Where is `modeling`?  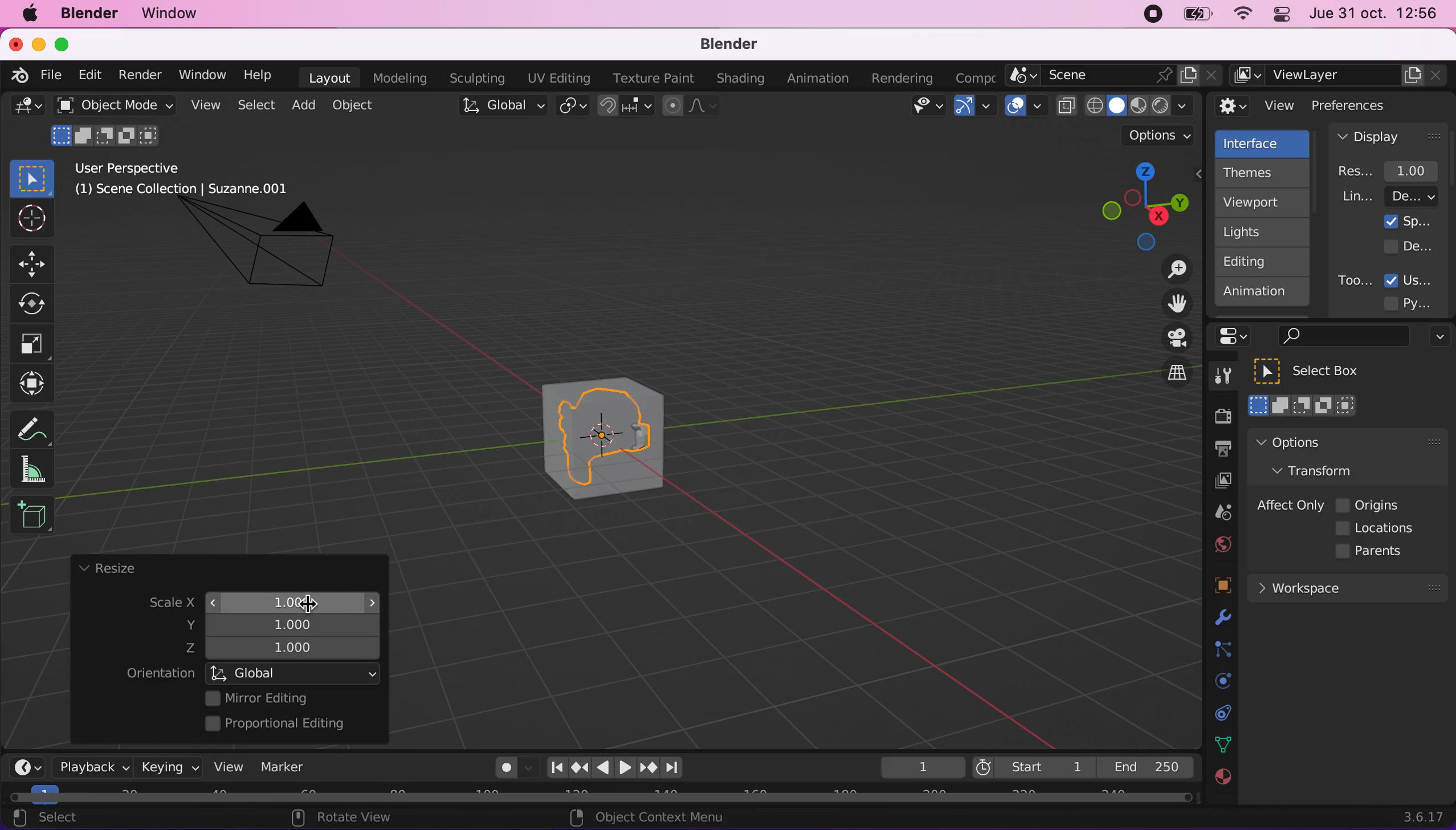 modeling is located at coordinates (398, 79).